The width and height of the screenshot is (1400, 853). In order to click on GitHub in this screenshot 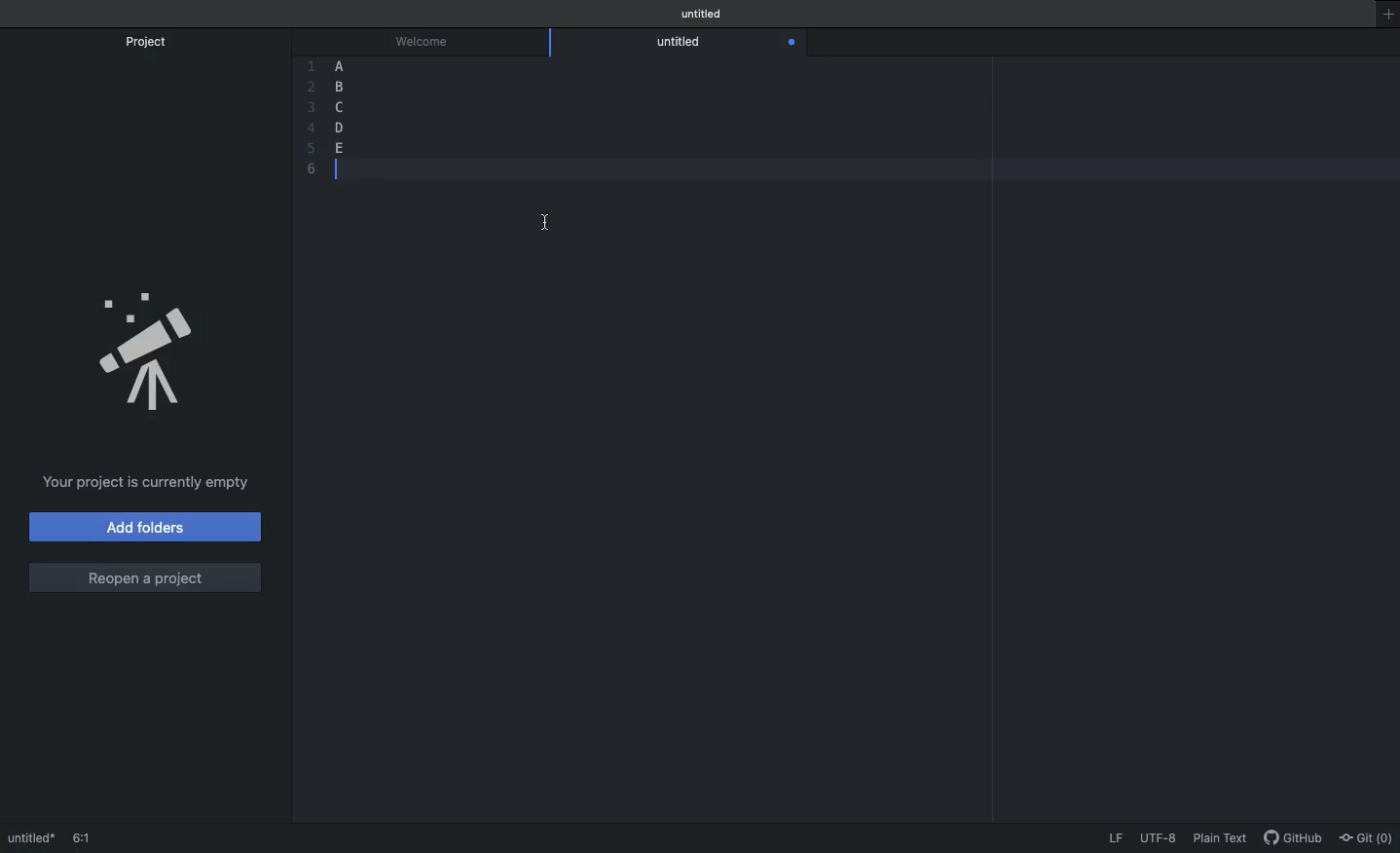, I will do `click(1294, 839)`.